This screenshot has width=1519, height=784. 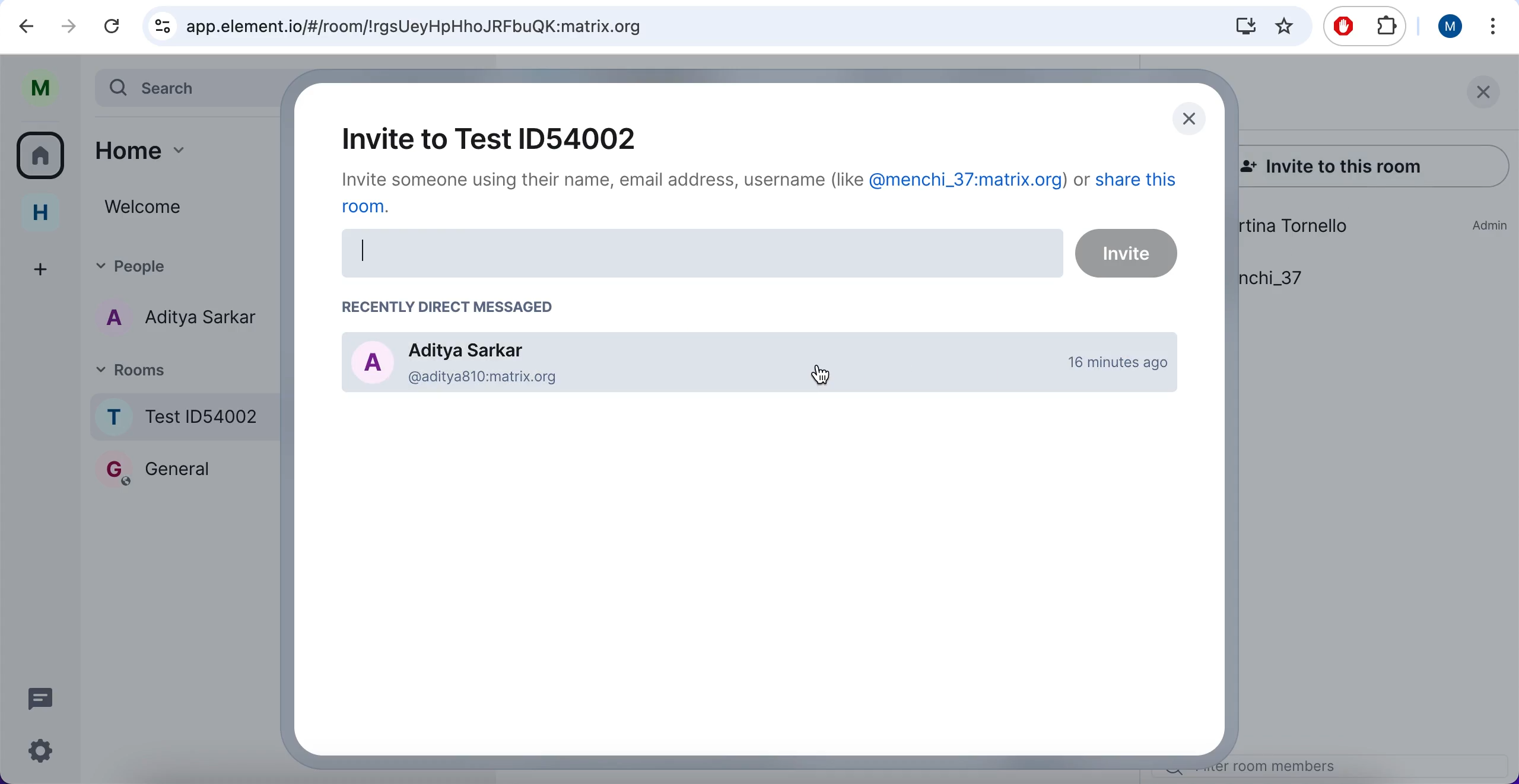 I want to click on close, so click(x=1485, y=98).